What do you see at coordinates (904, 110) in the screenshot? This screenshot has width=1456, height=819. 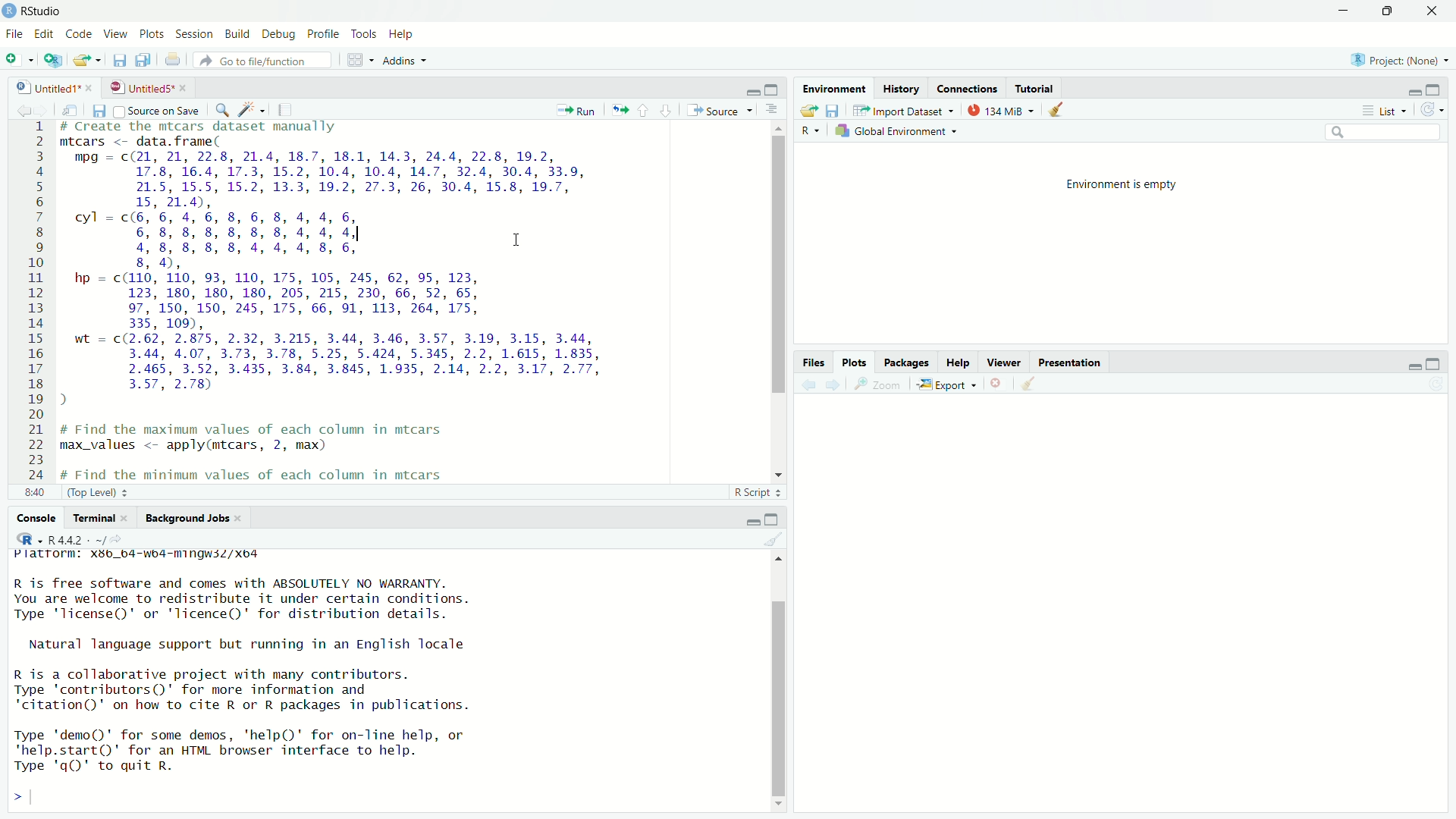 I see `import Vataset` at bounding box center [904, 110].